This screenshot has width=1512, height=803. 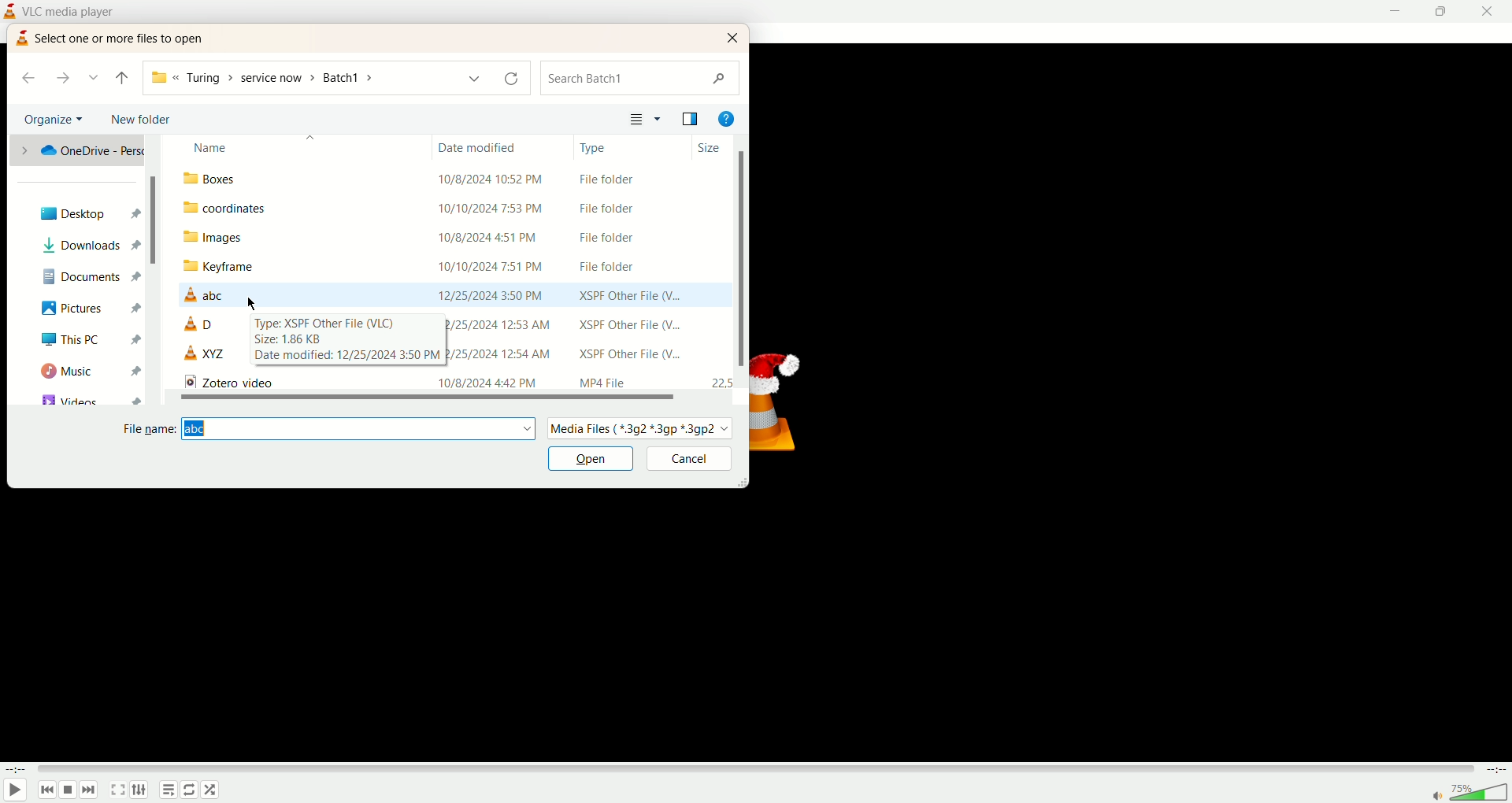 What do you see at coordinates (687, 459) in the screenshot?
I see `cancel` at bounding box center [687, 459].